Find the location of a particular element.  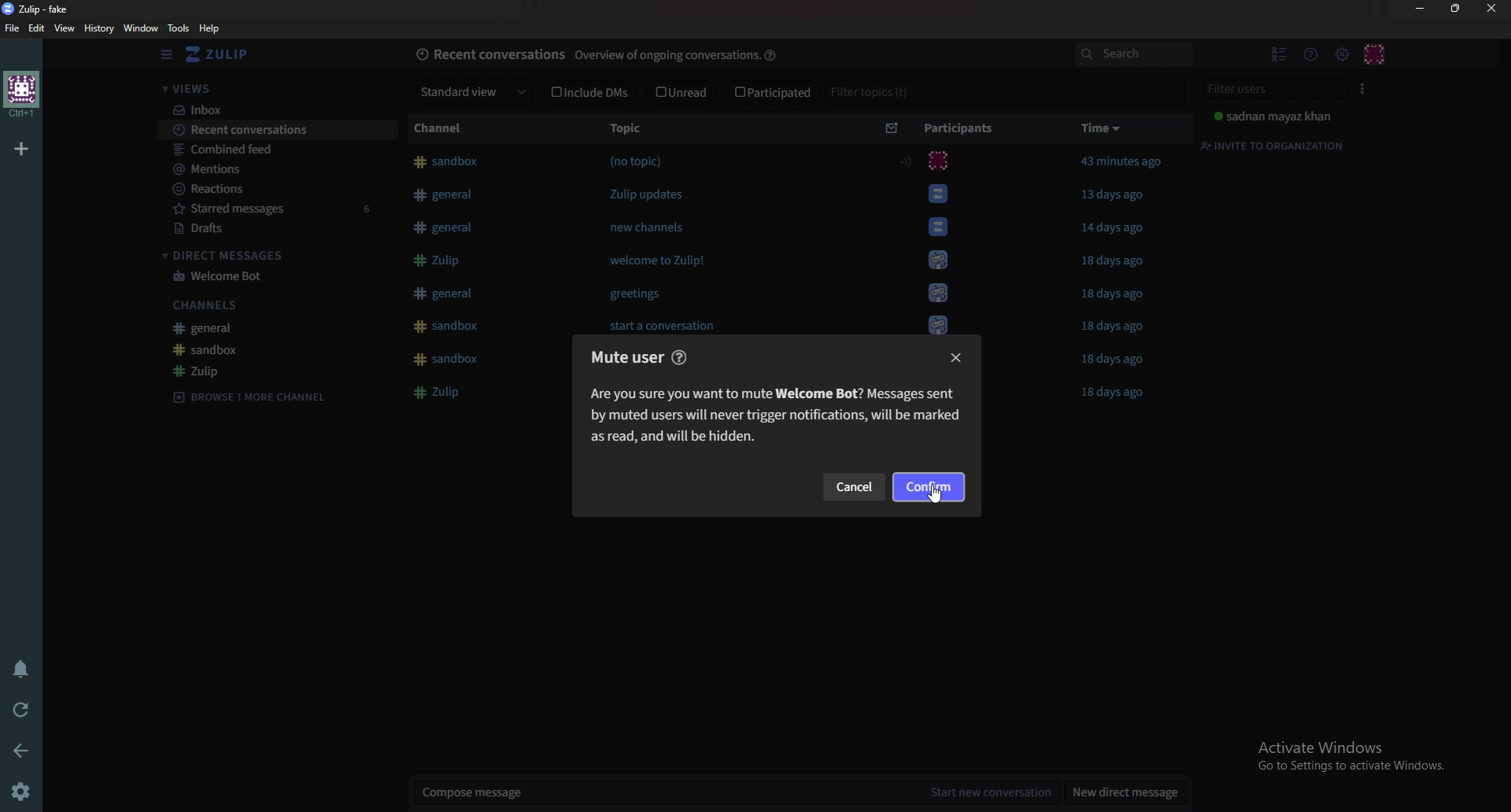

search is located at coordinates (1133, 54).